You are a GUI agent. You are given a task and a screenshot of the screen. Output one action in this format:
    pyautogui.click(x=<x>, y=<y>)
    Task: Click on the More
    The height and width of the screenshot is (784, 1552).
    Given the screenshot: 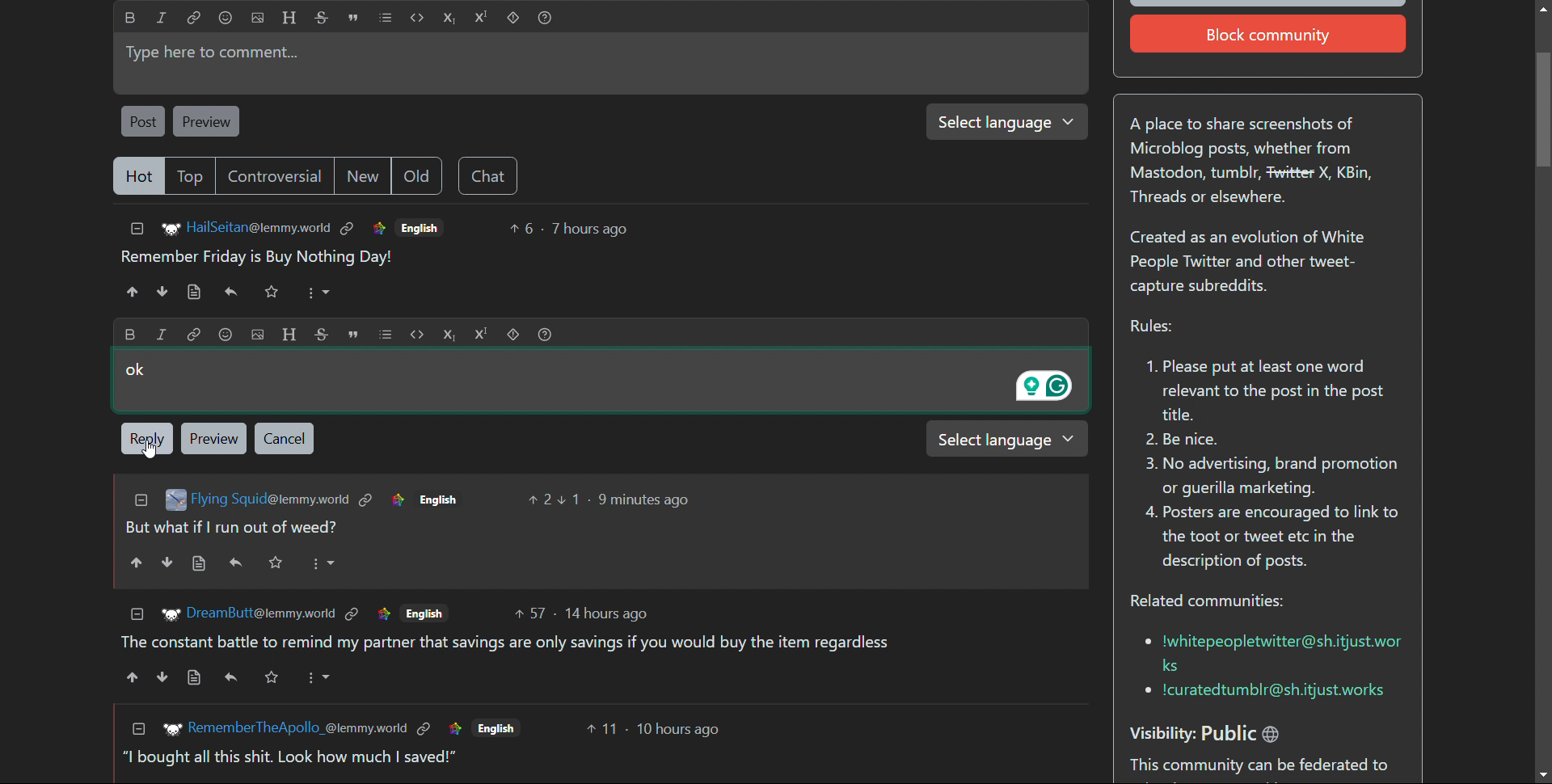 What is the action you would take?
    pyautogui.click(x=323, y=564)
    